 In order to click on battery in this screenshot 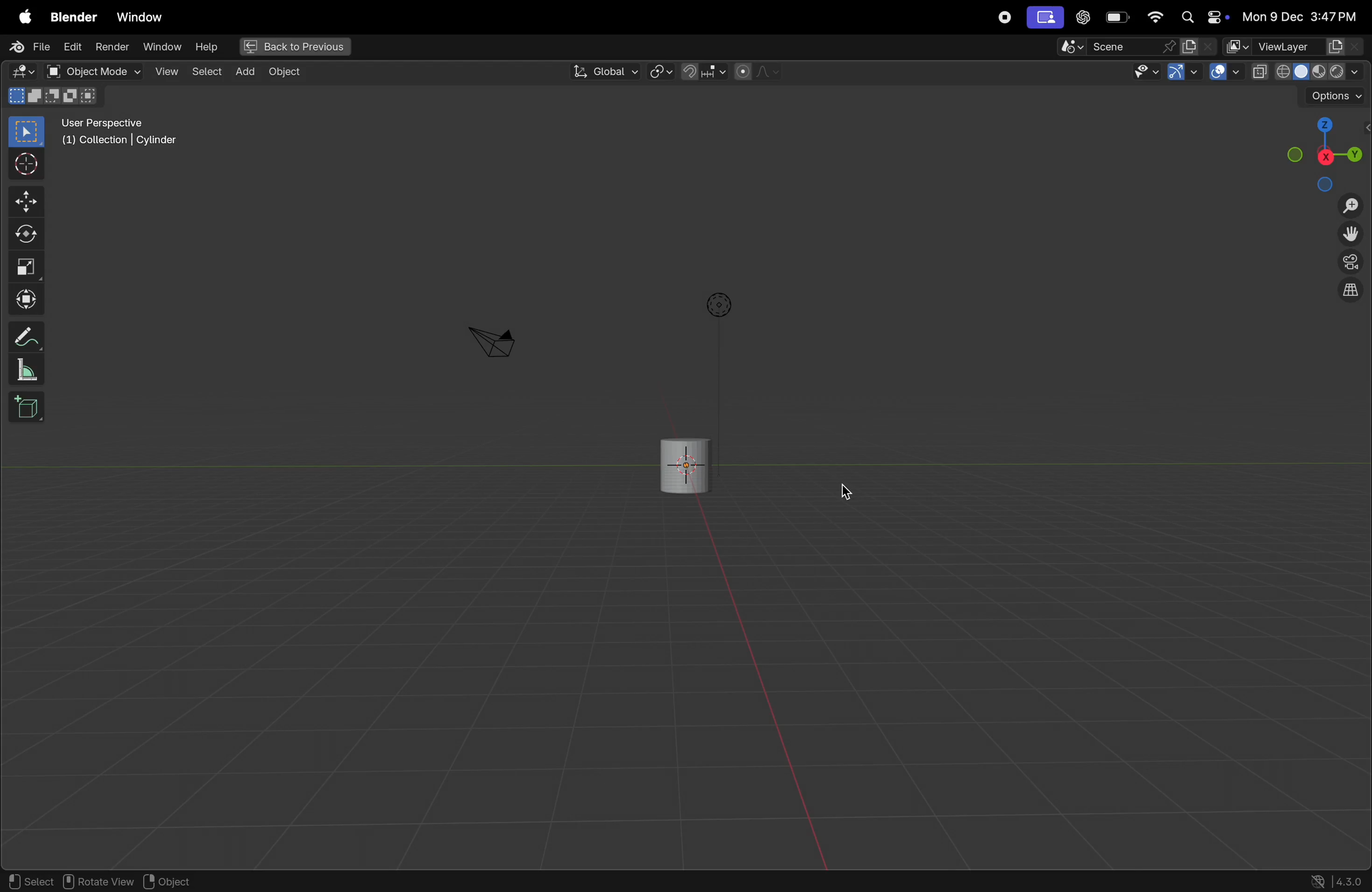, I will do `click(1118, 17)`.